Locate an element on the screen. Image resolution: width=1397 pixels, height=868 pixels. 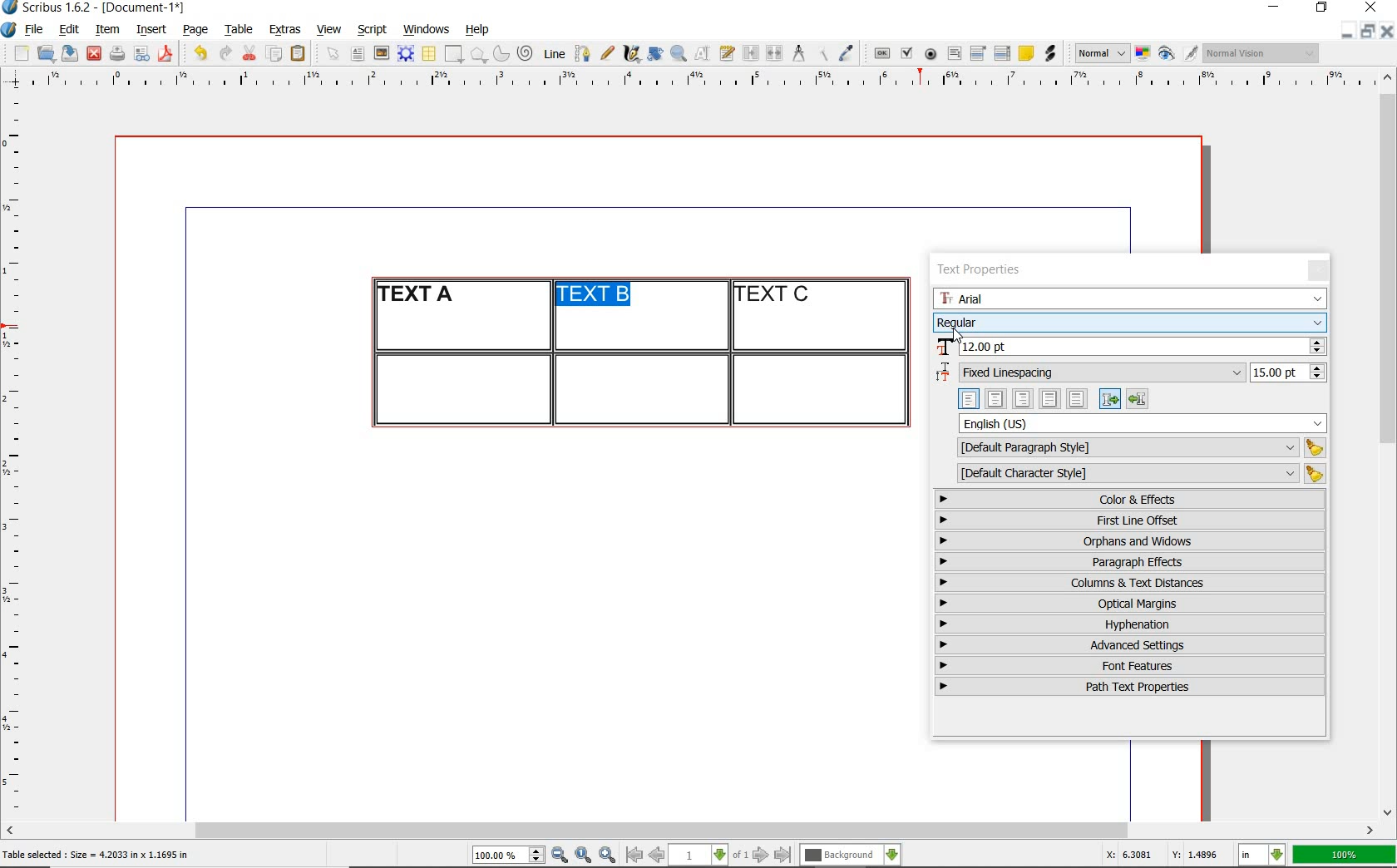
fixed linespacing is located at coordinates (1131, 373).